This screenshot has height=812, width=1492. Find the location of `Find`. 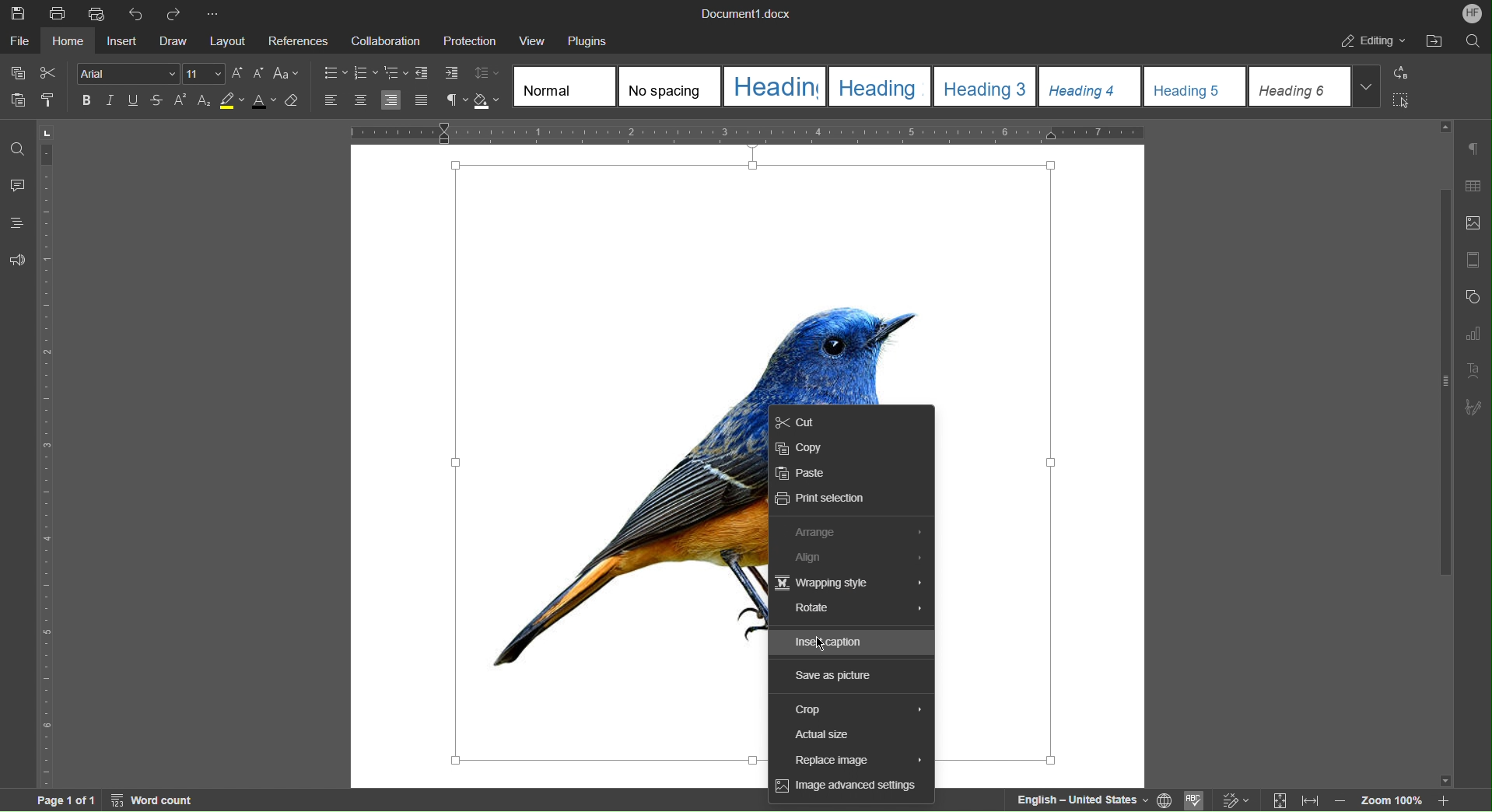

Find is located at coordinates (17, 147).